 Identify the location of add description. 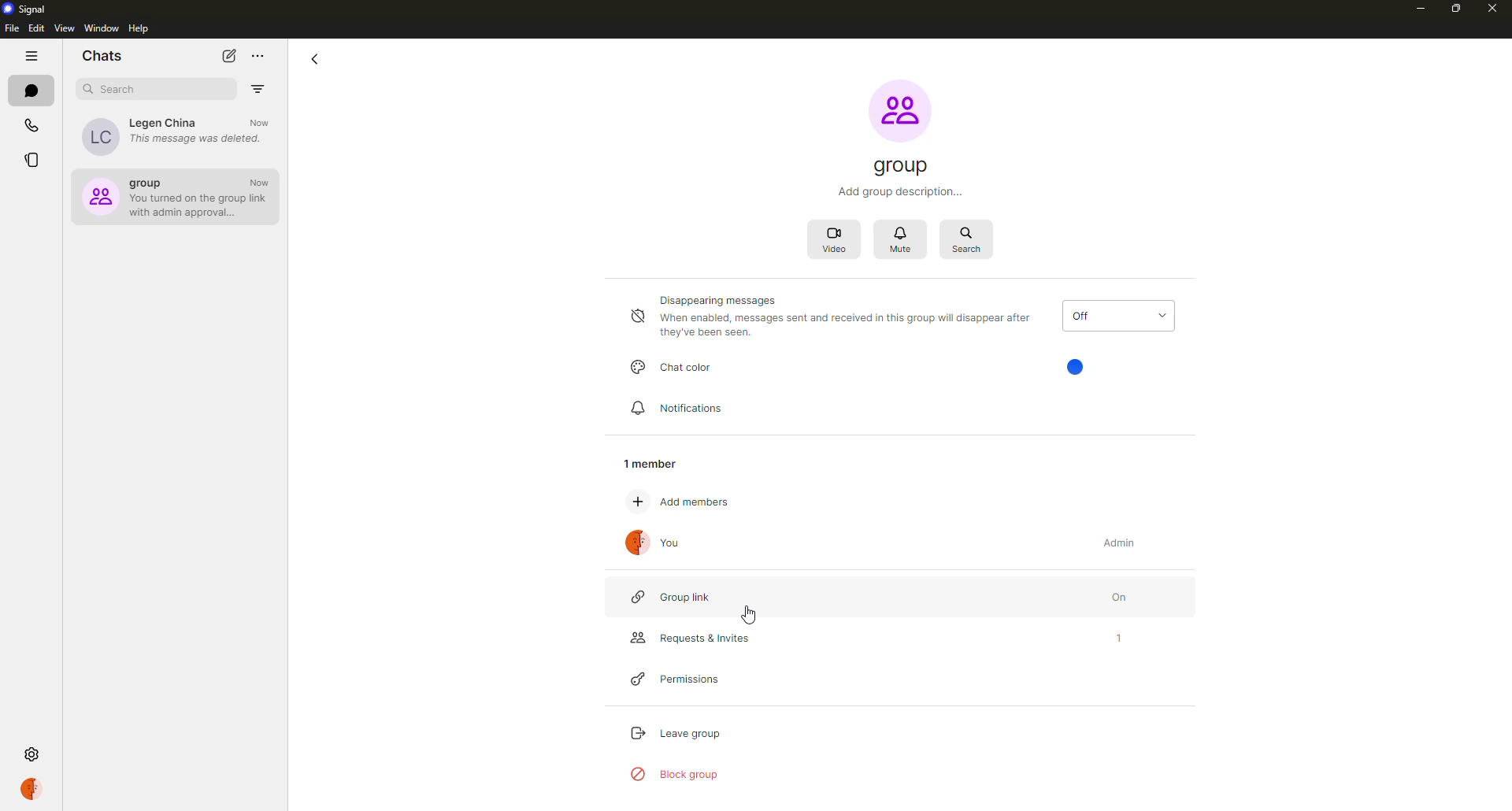
(903, 191).